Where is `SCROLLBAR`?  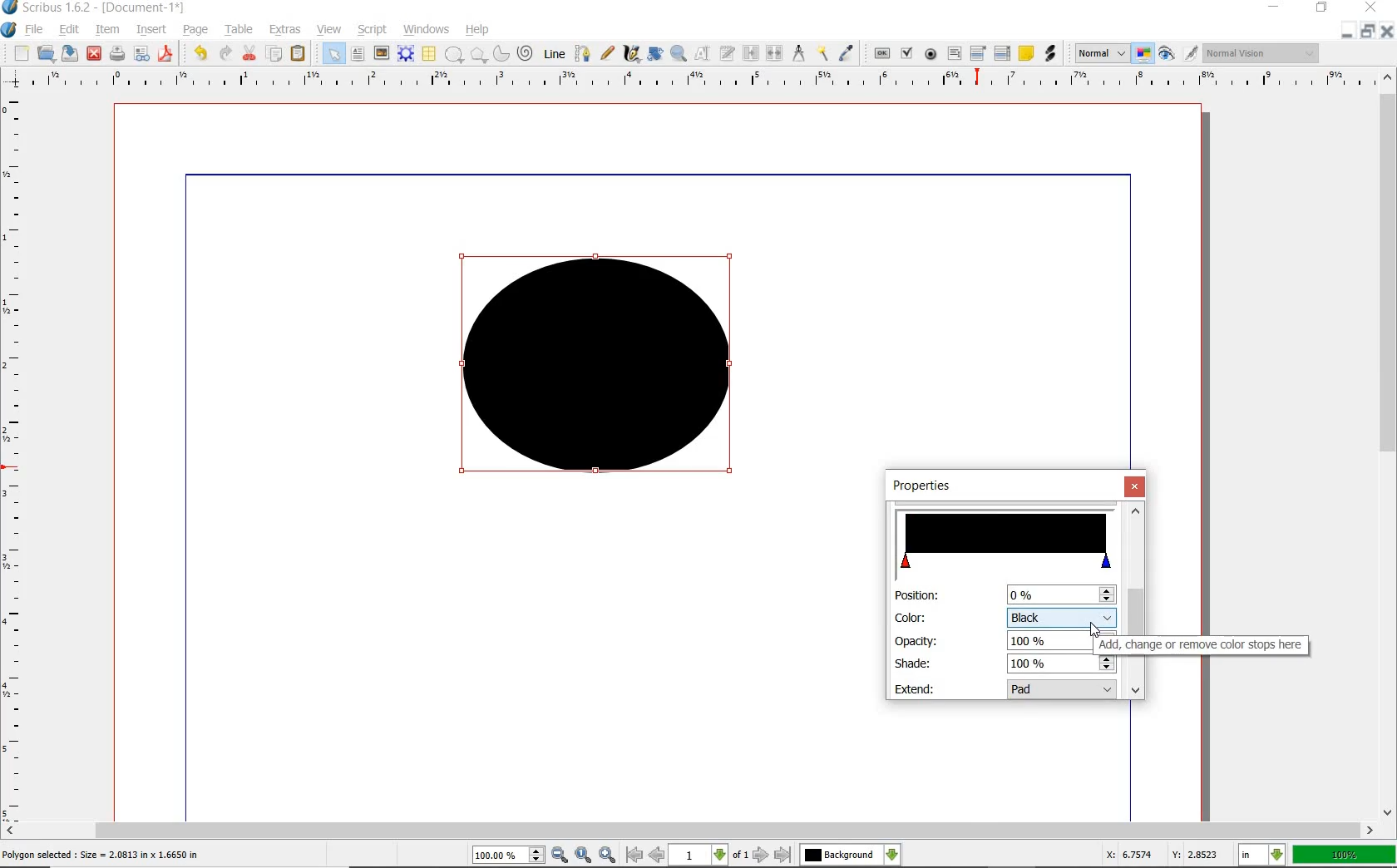
SCROLLBAR is located at coordinates (689, 831).